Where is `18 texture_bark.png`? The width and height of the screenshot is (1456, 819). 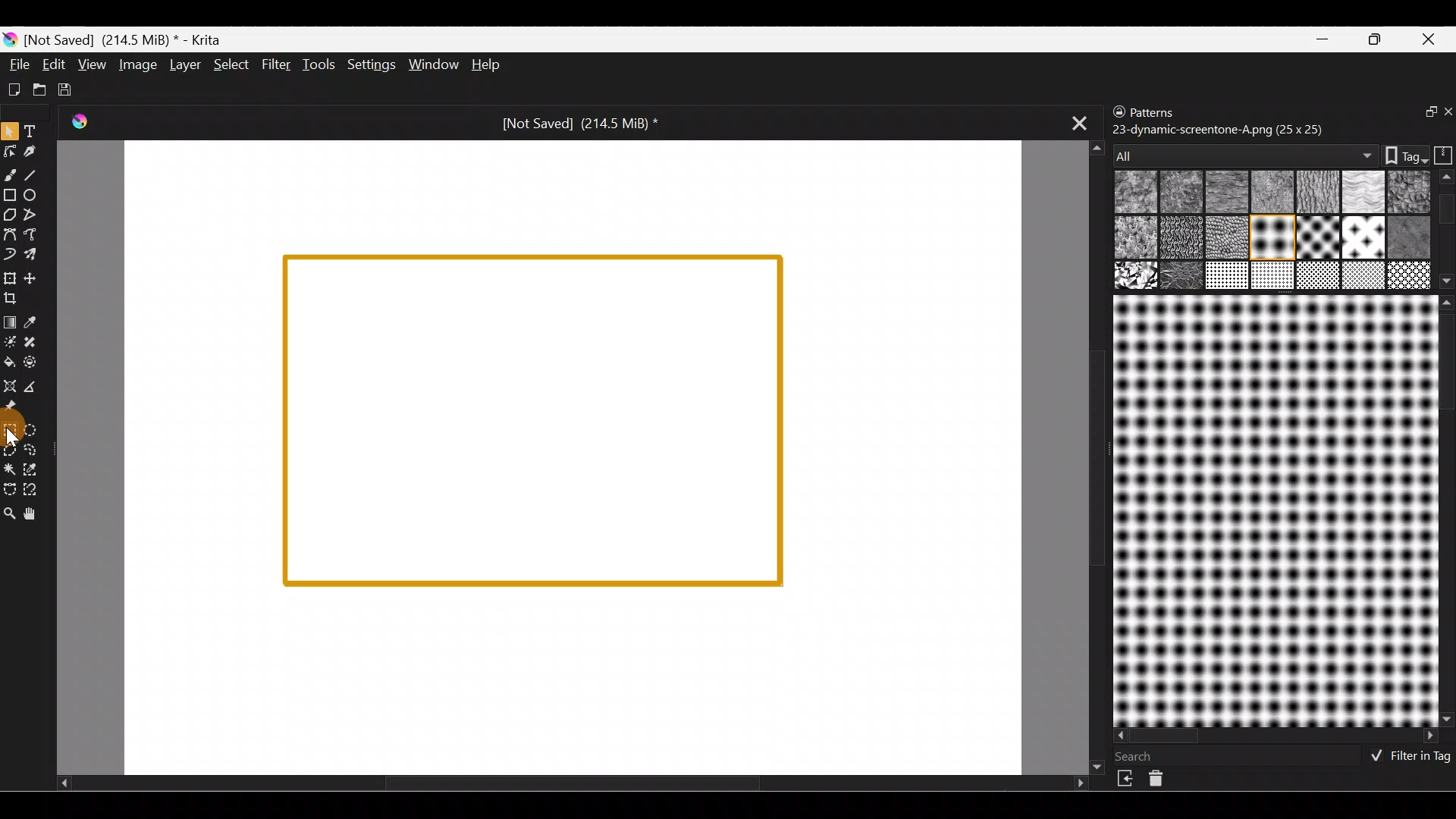 18 texture_bark.png is located at coordinates (1316, 277).